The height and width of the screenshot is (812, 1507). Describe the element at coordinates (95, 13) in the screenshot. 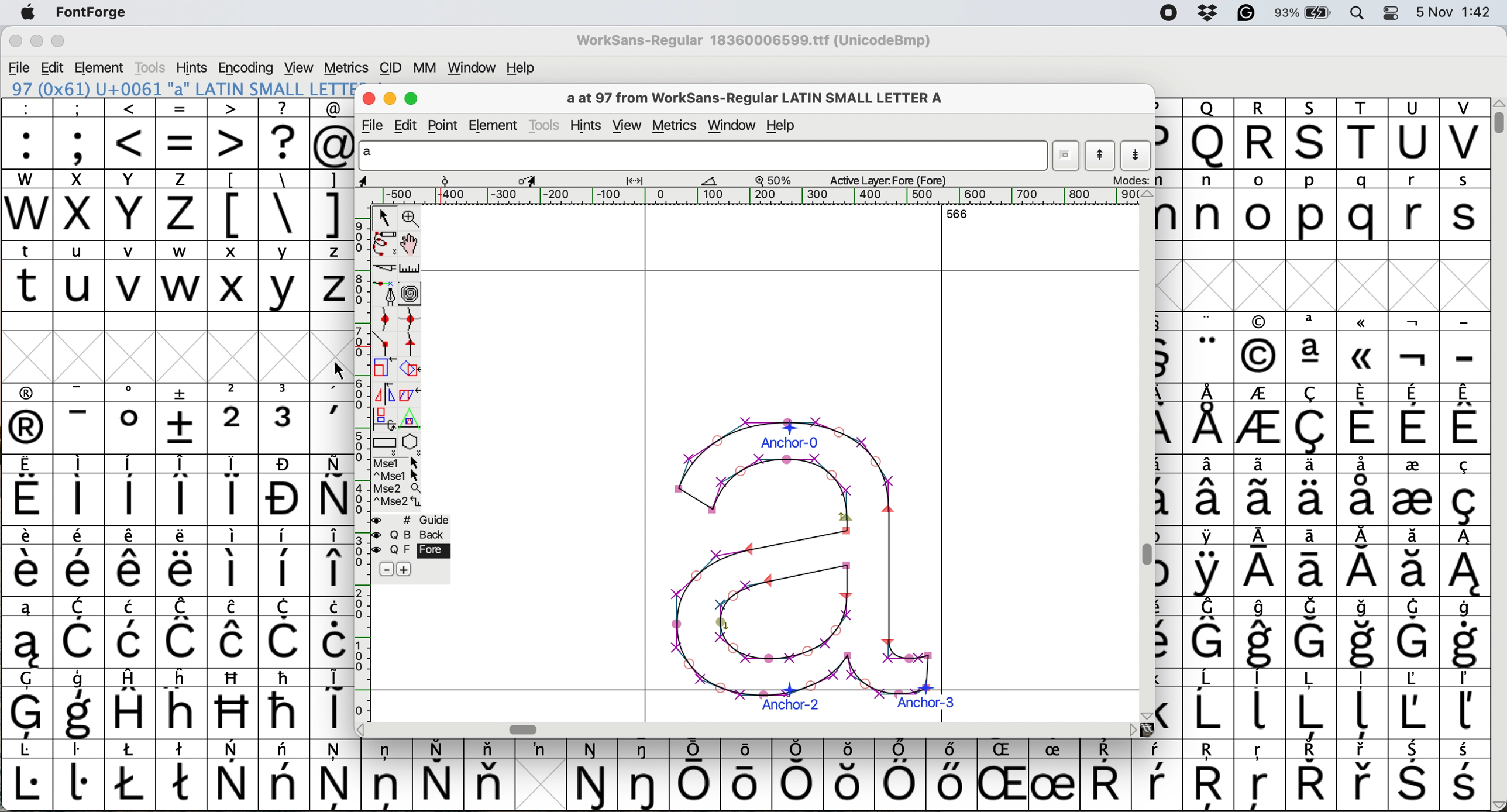

I see `fontforge` at that location.